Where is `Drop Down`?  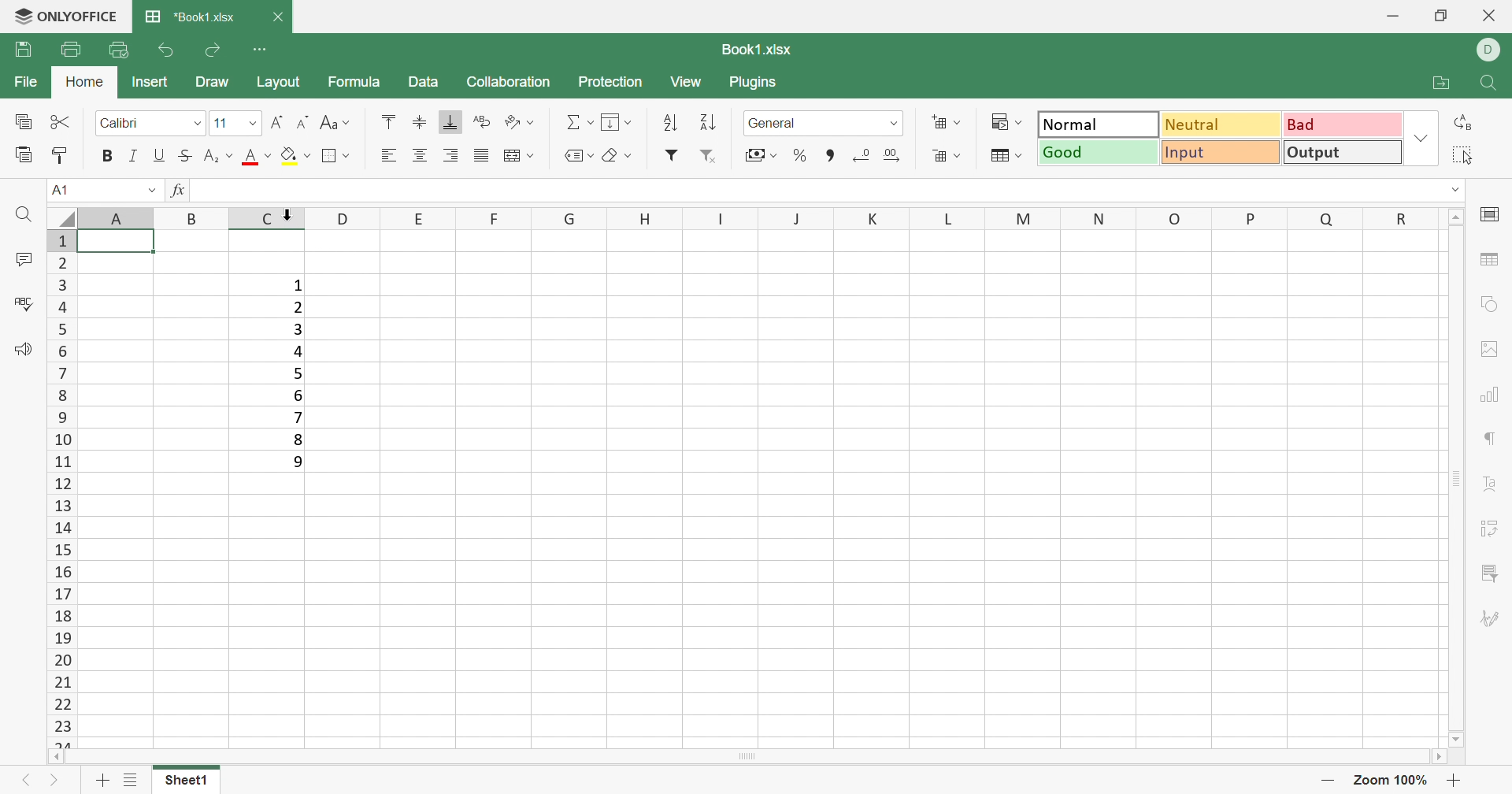 Drop Down is located at coordinates (150, 191).